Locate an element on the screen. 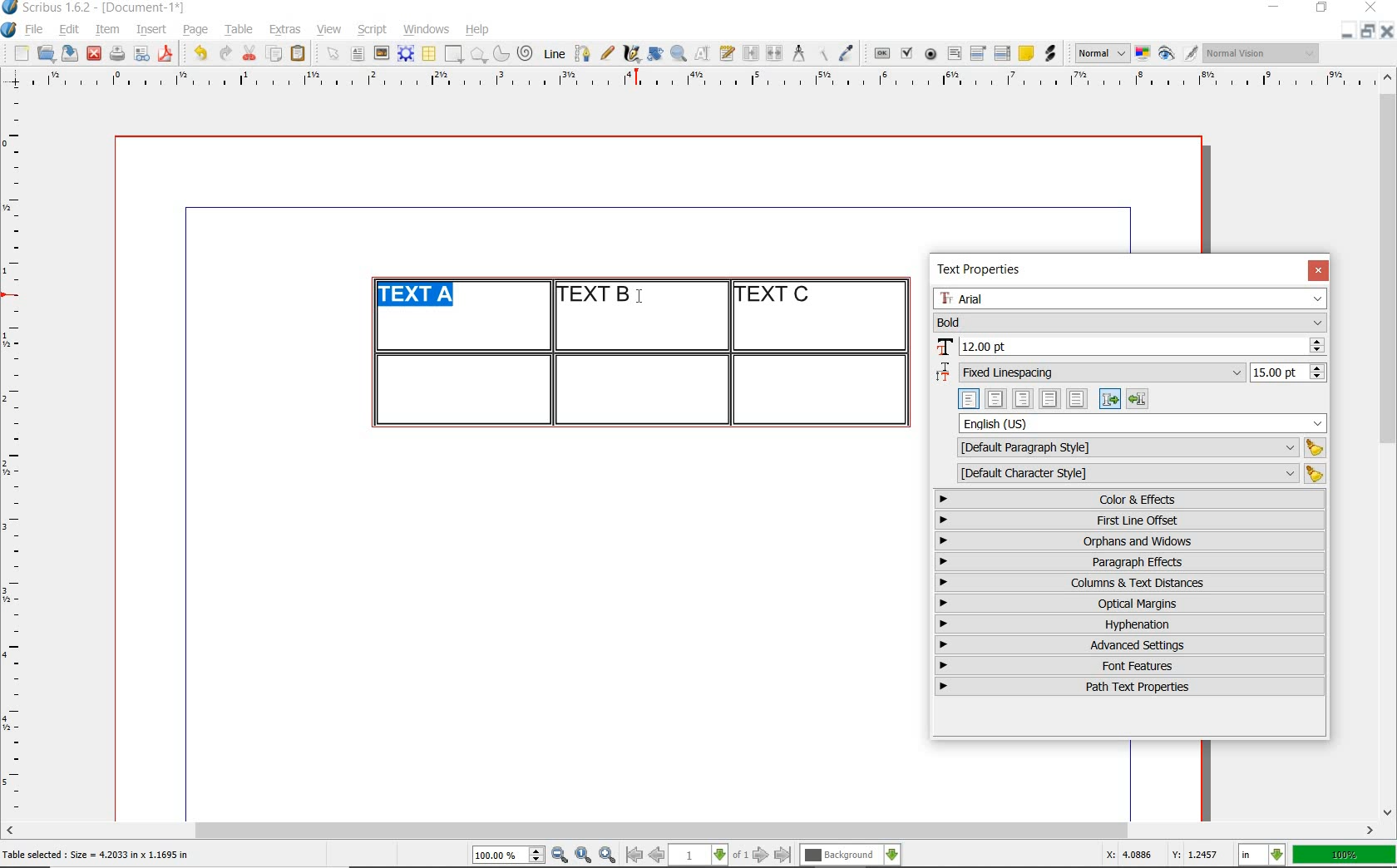 The width and height of the screenshot is (1397, 868). select the current layer is located at coordinates (851, 856).